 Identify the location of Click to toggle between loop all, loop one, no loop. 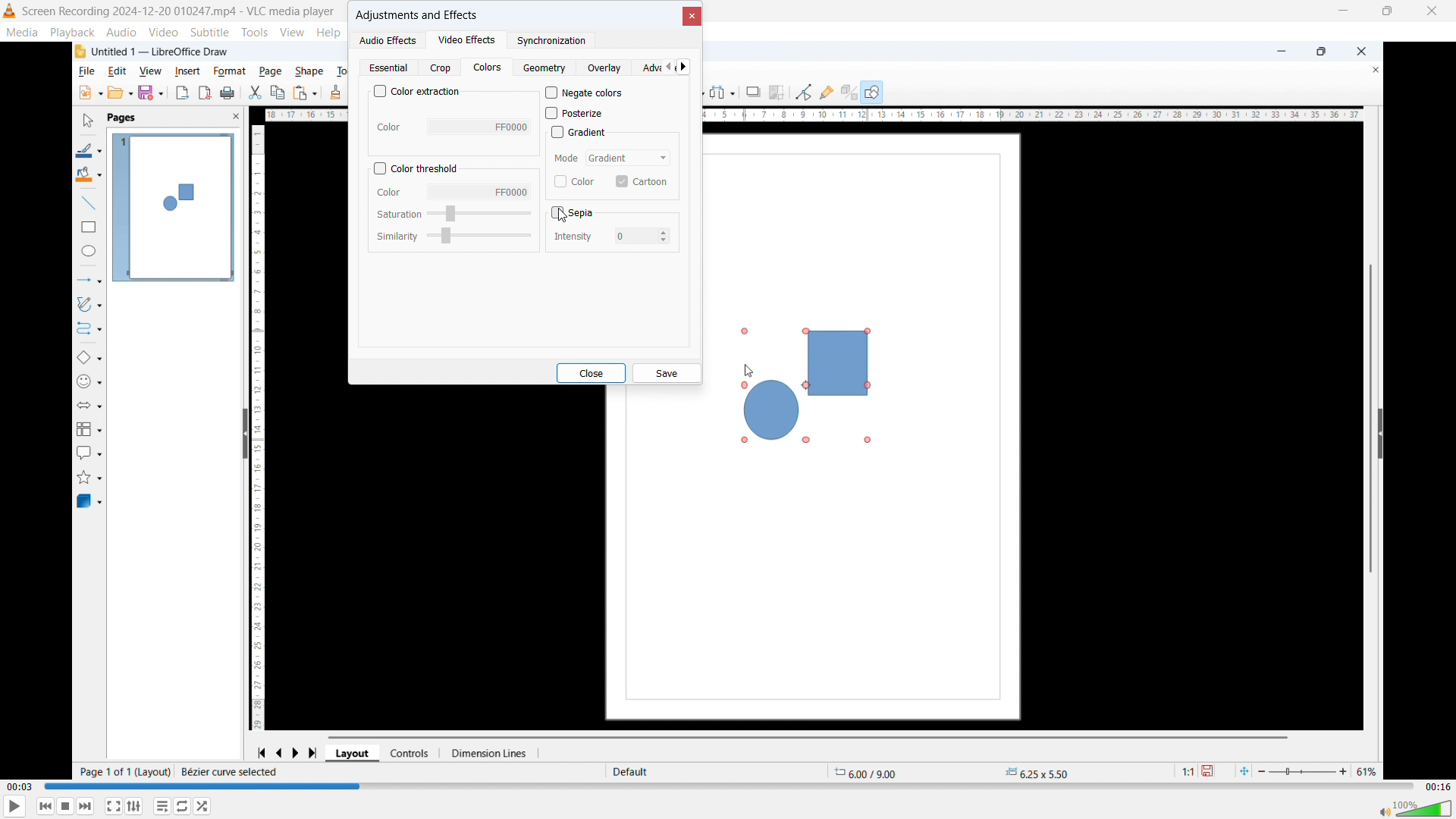
(182, 807).